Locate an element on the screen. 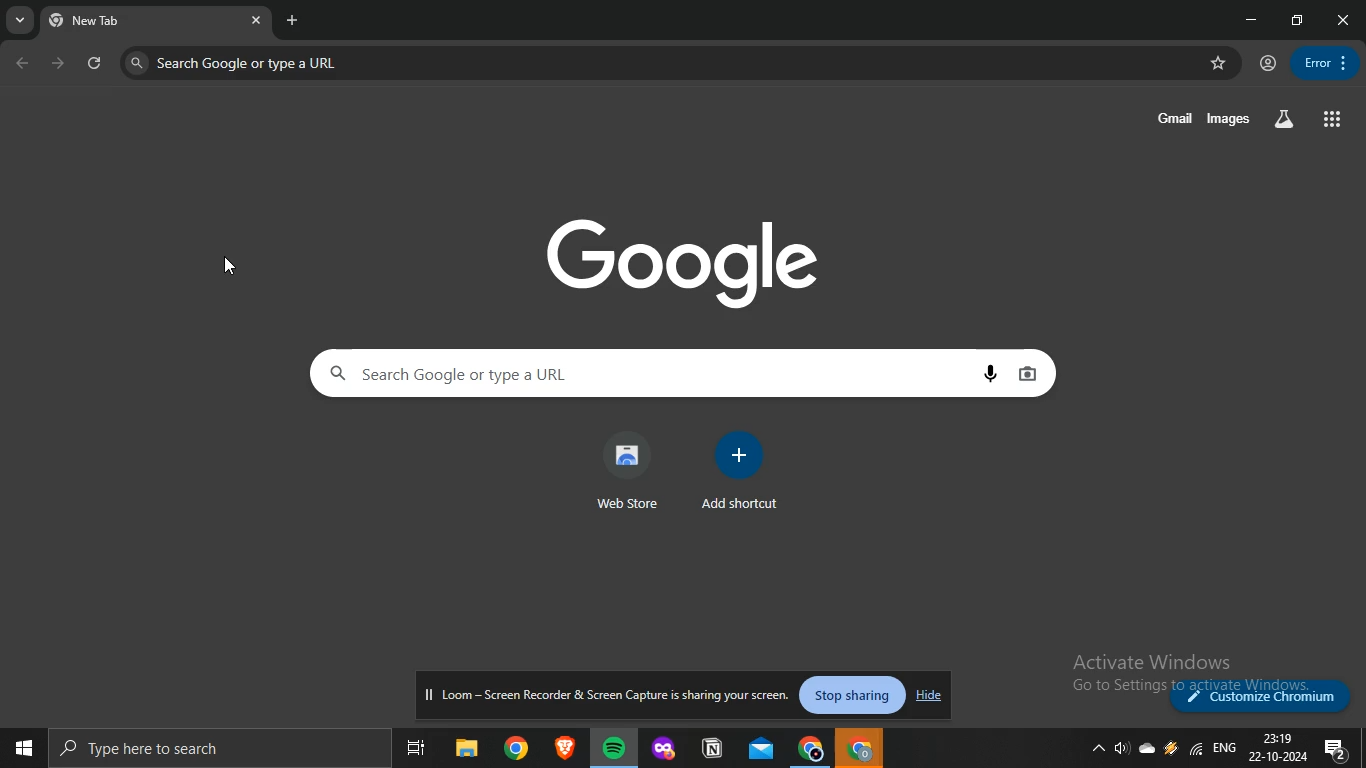  search google or type a url is located at coordinates (641, 374).